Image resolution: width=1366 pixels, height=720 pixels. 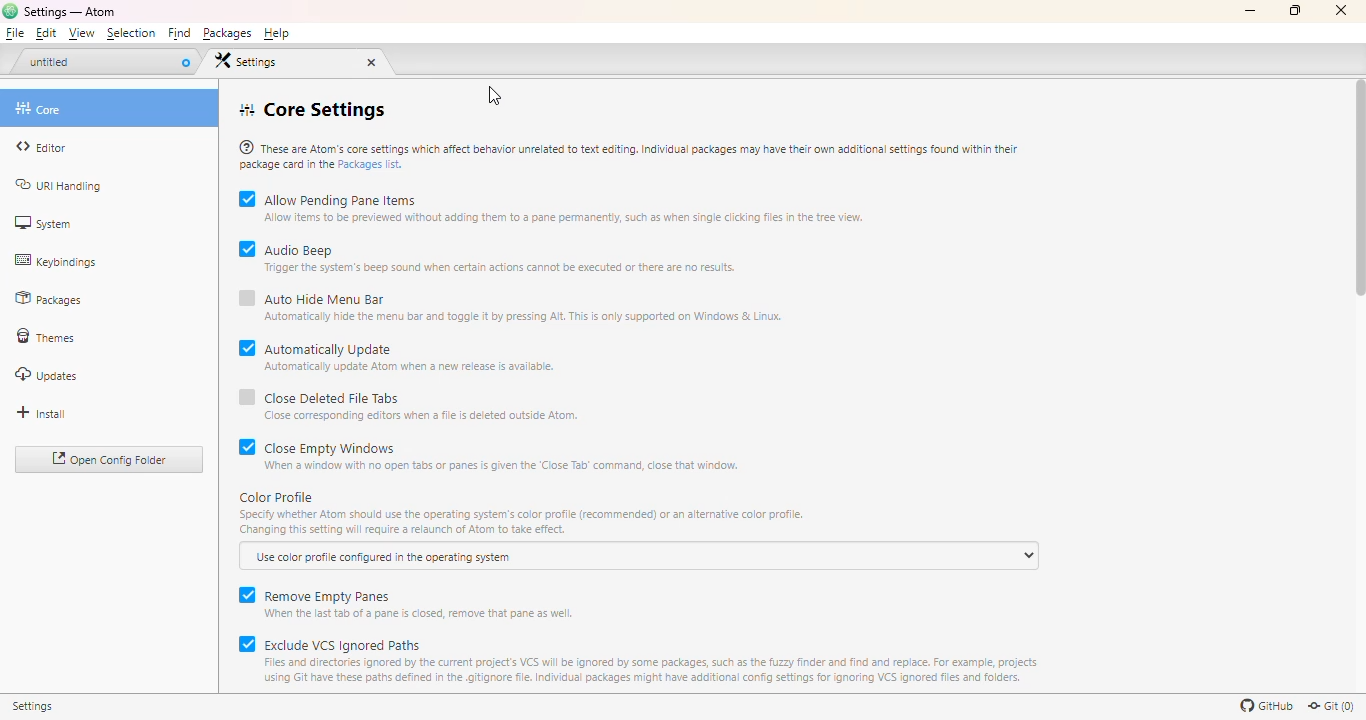 I want to click on checkbox, so click(x=245, y=659).